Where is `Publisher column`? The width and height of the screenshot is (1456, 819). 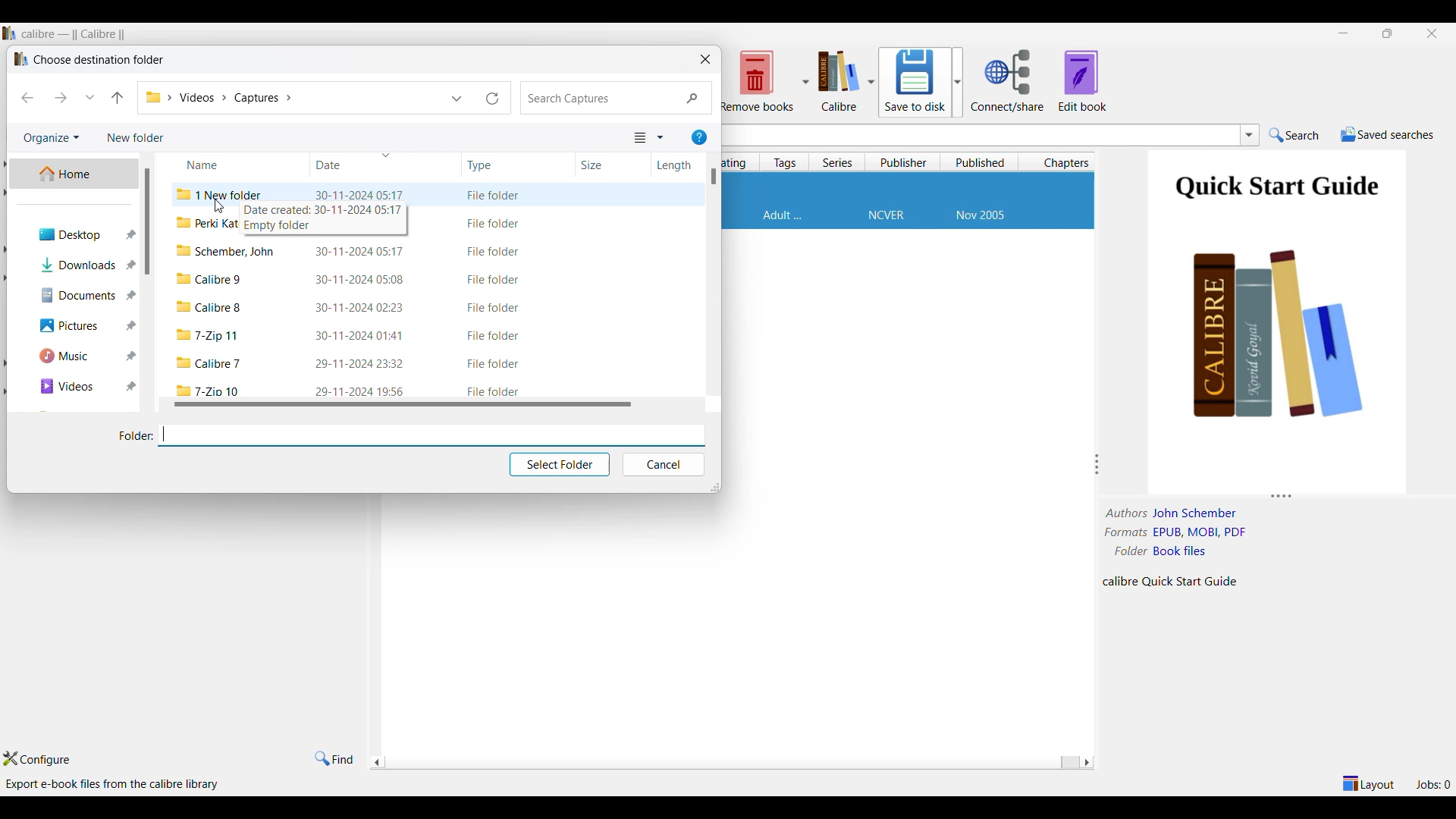
Publisher column is located at coordinates (905, 162).